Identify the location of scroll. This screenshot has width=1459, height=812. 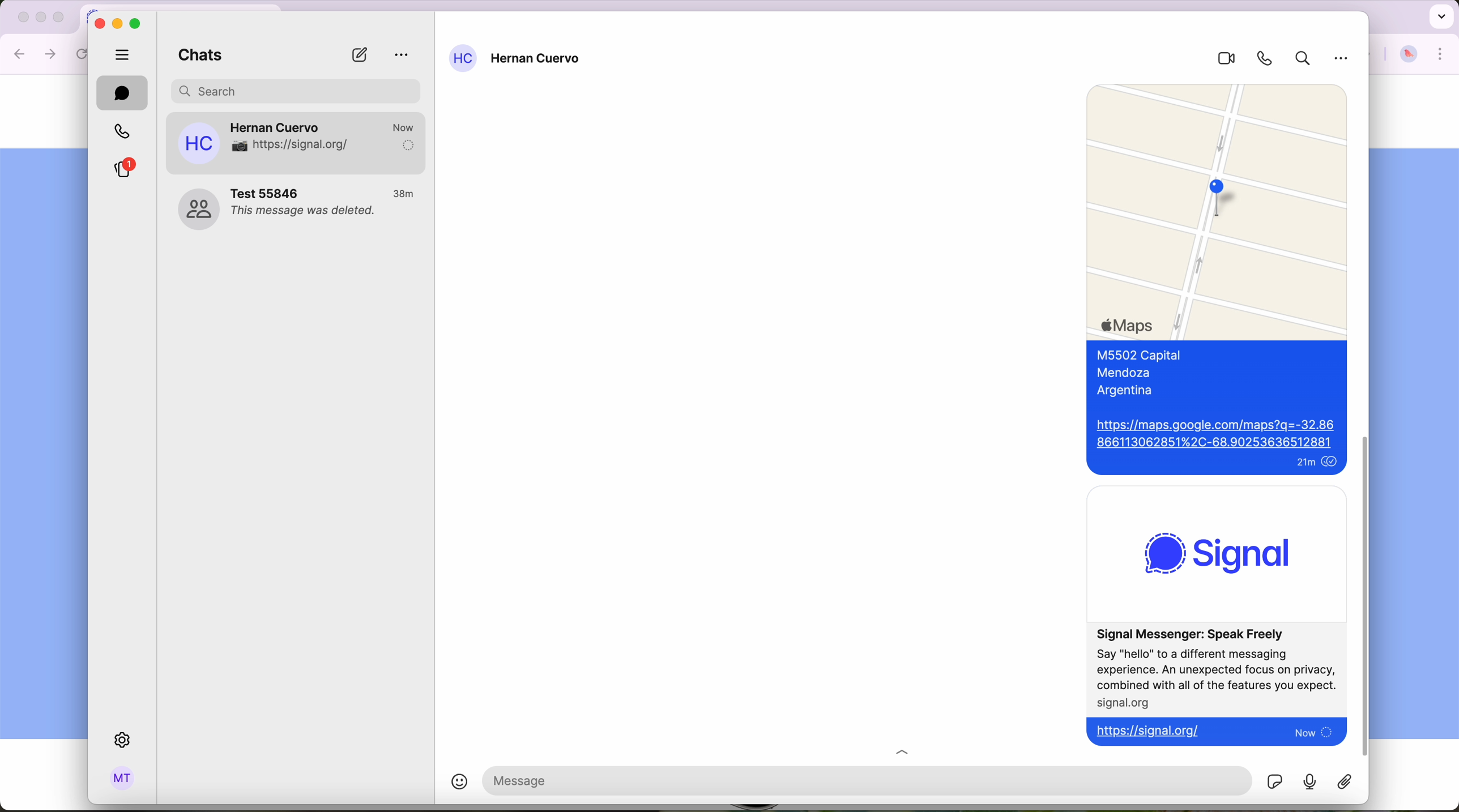
(1364, 595).